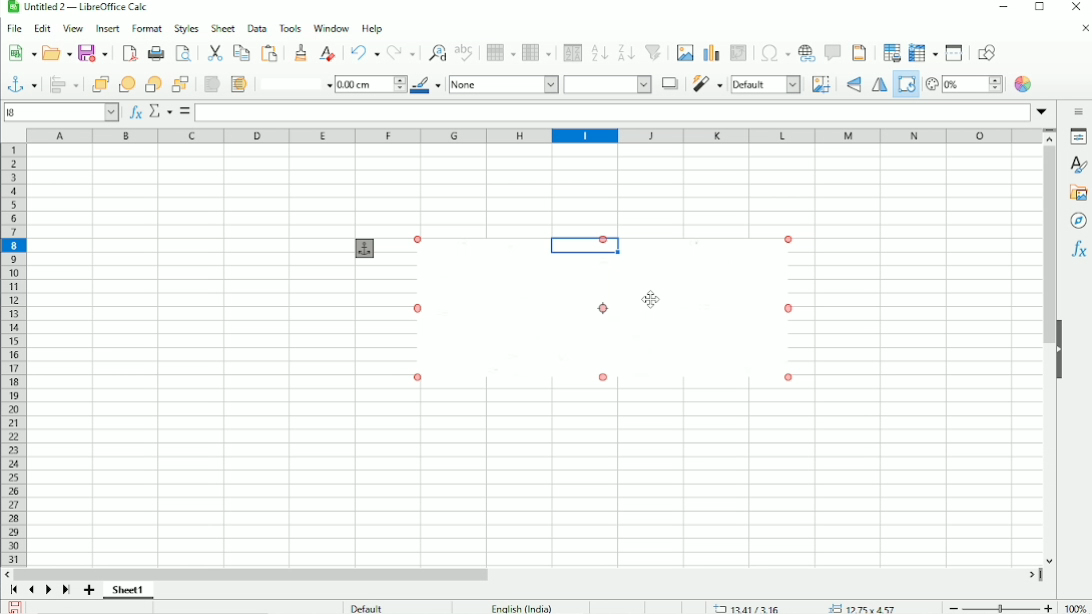 This screenshot has width=1092, height=614. What do you see at coordinates (20, 54) in the screenshot?
I see `New` at bounding box center [20, 54].